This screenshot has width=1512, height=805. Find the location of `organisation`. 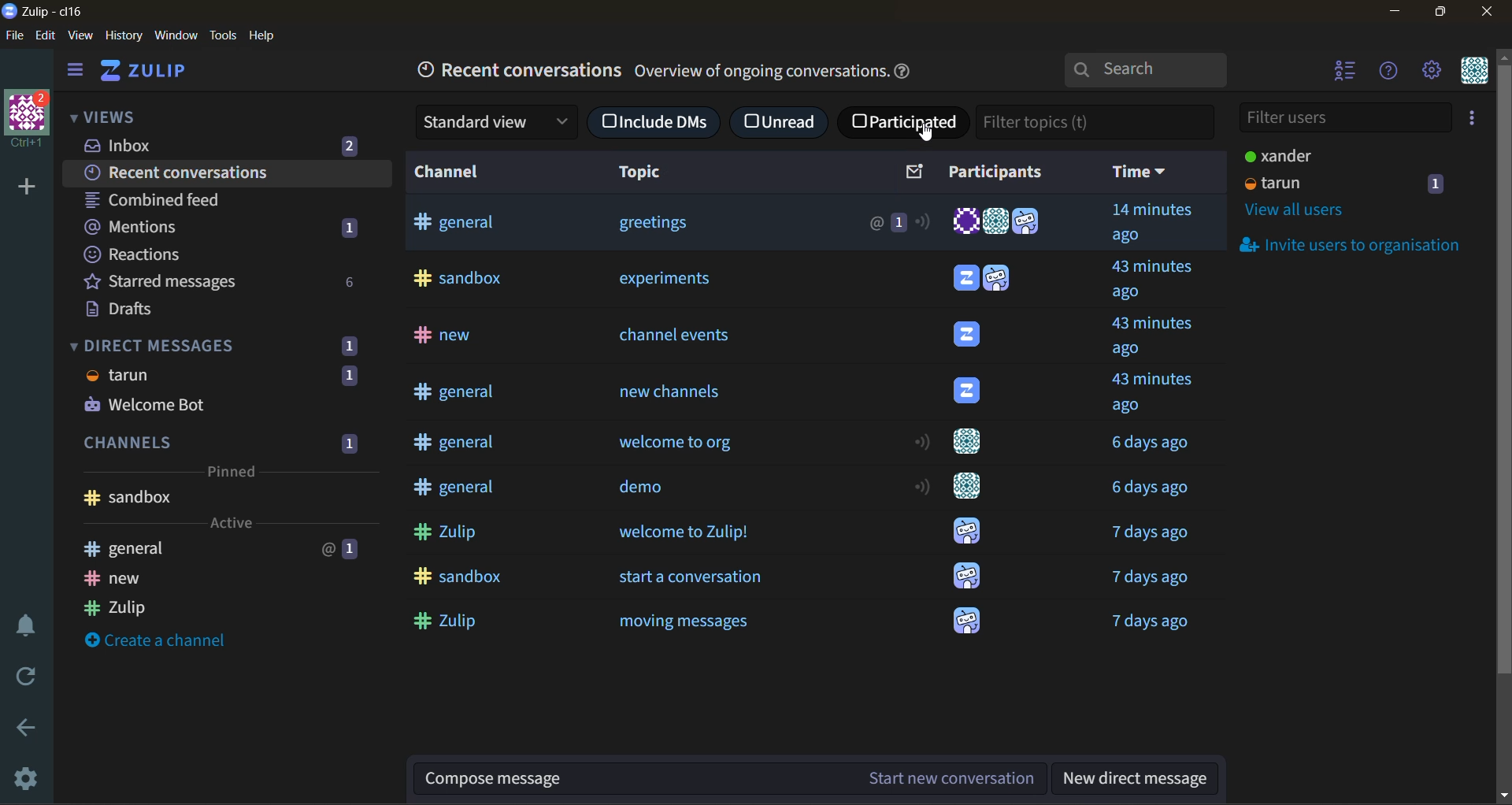

organisation is located at coordinates (30, 120).